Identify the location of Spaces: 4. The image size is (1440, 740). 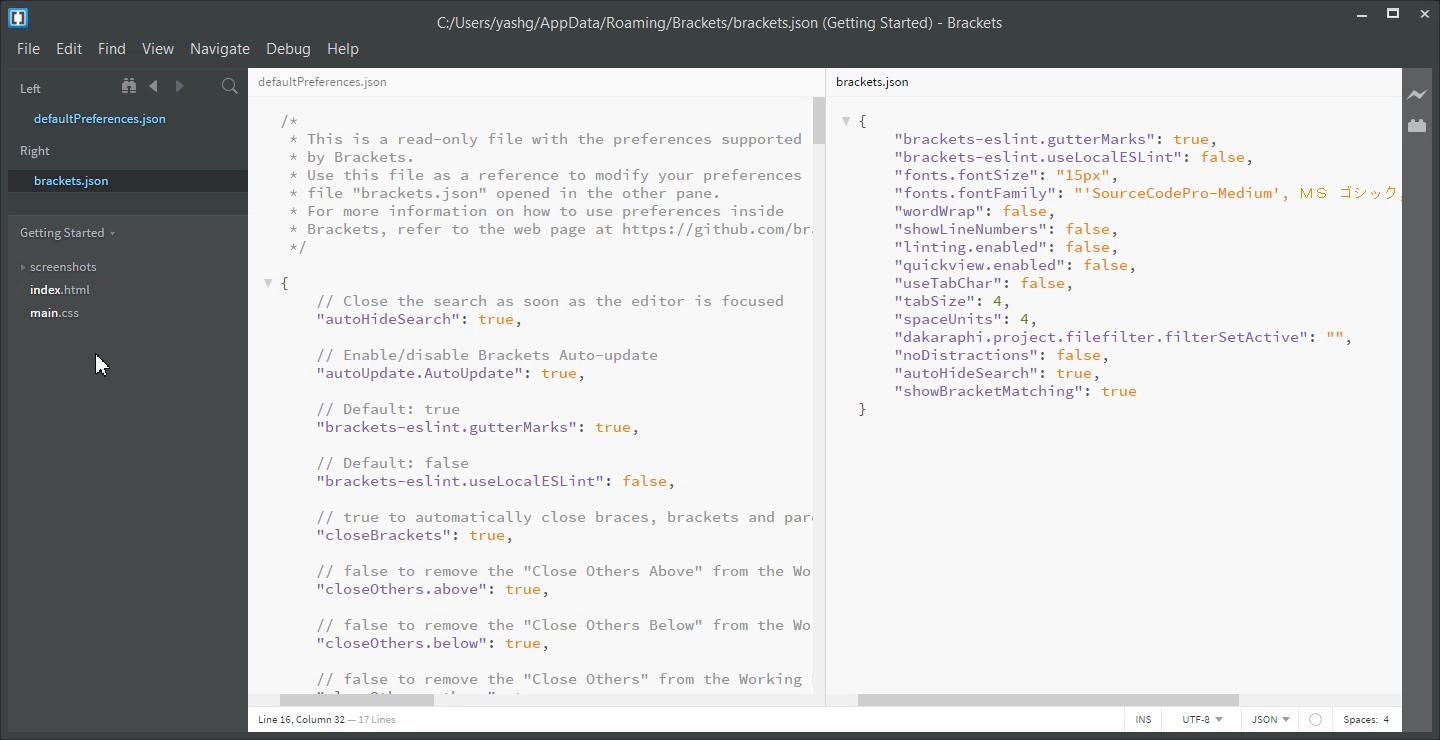
(1366, 720).